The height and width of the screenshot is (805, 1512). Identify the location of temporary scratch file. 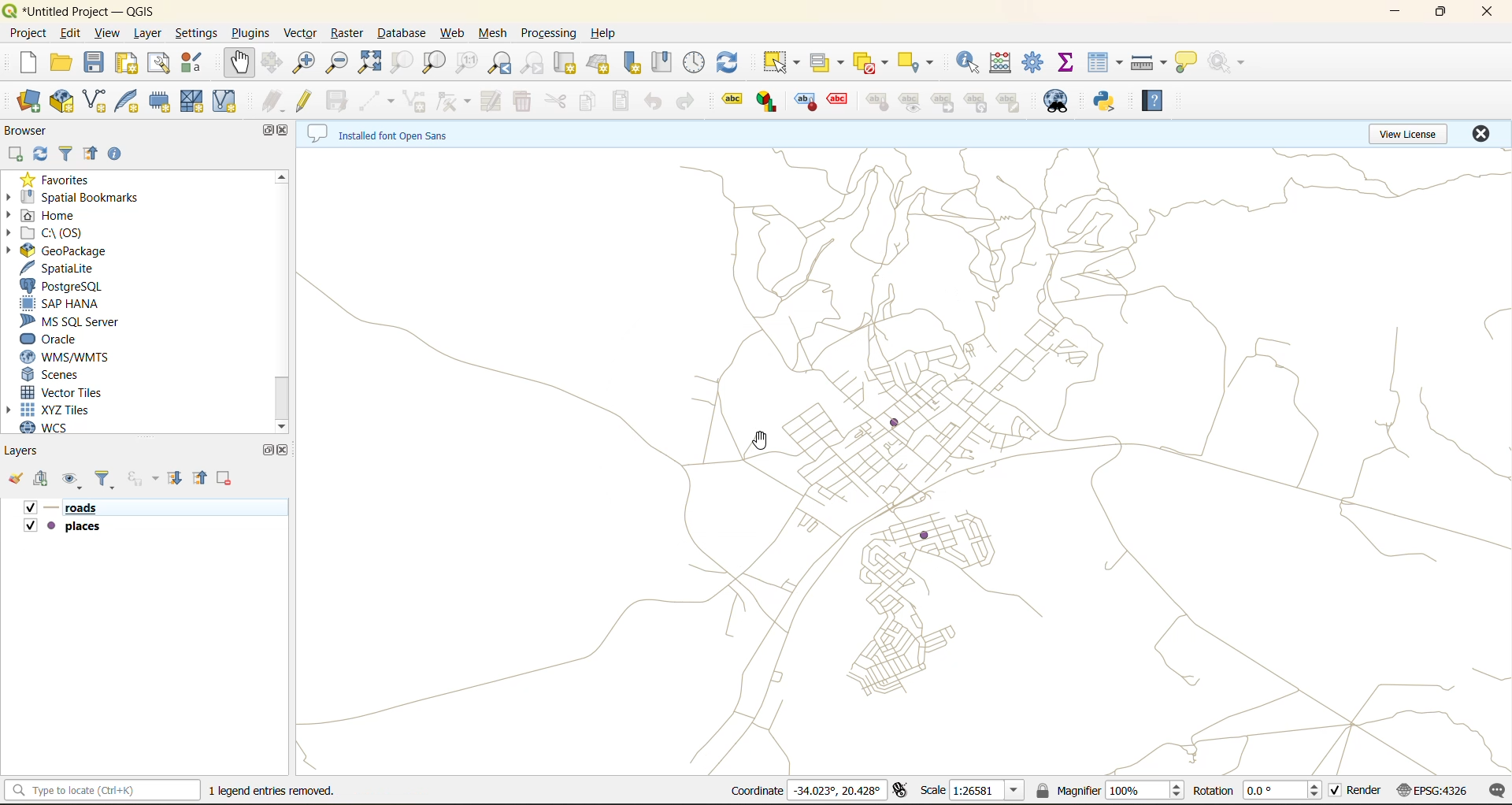
(156, 98).